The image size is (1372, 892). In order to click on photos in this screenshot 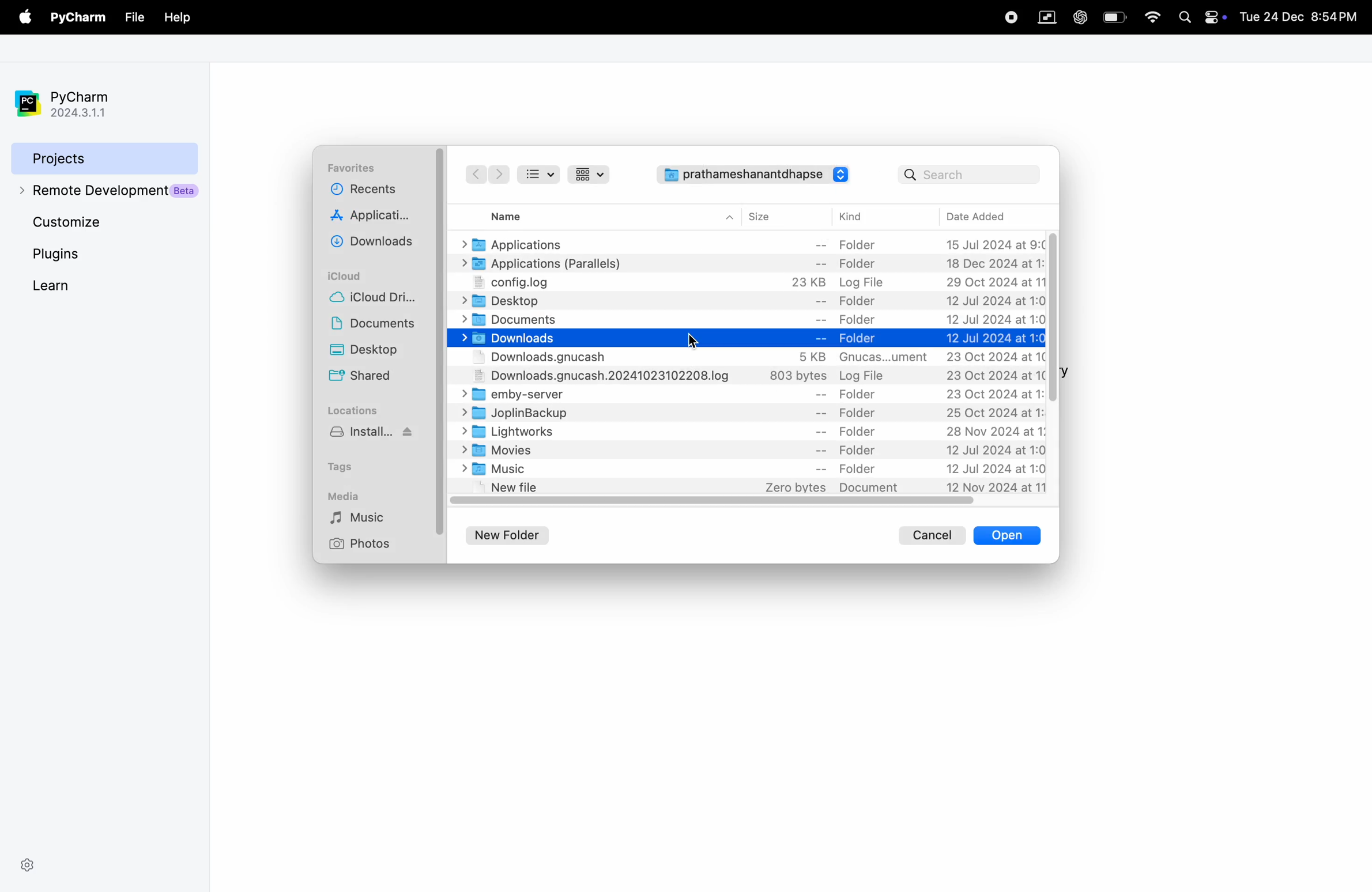, I will do `click(364, 543)`.